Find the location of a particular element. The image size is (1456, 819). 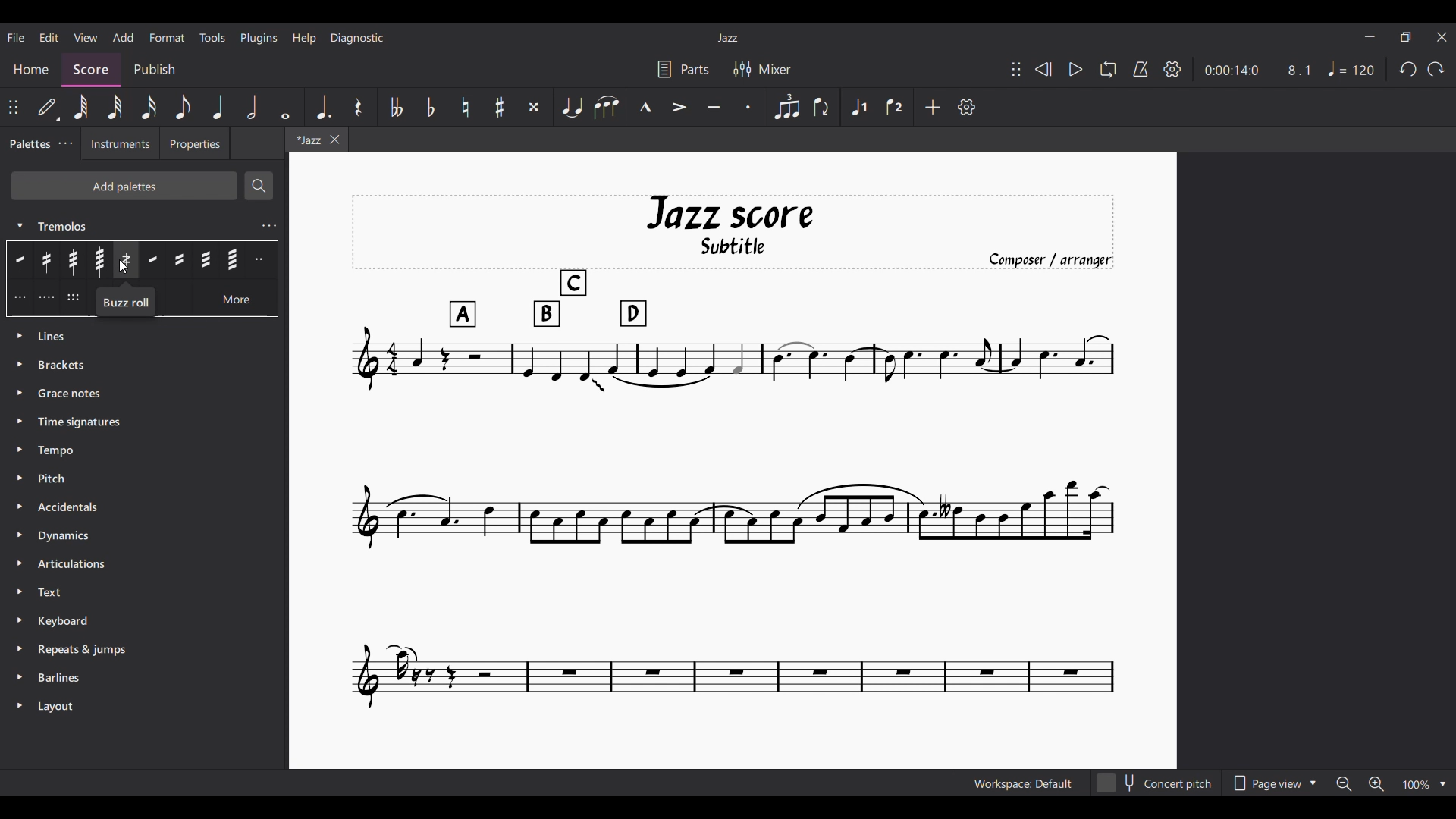

Close tab is located at coordinates (334, 139).